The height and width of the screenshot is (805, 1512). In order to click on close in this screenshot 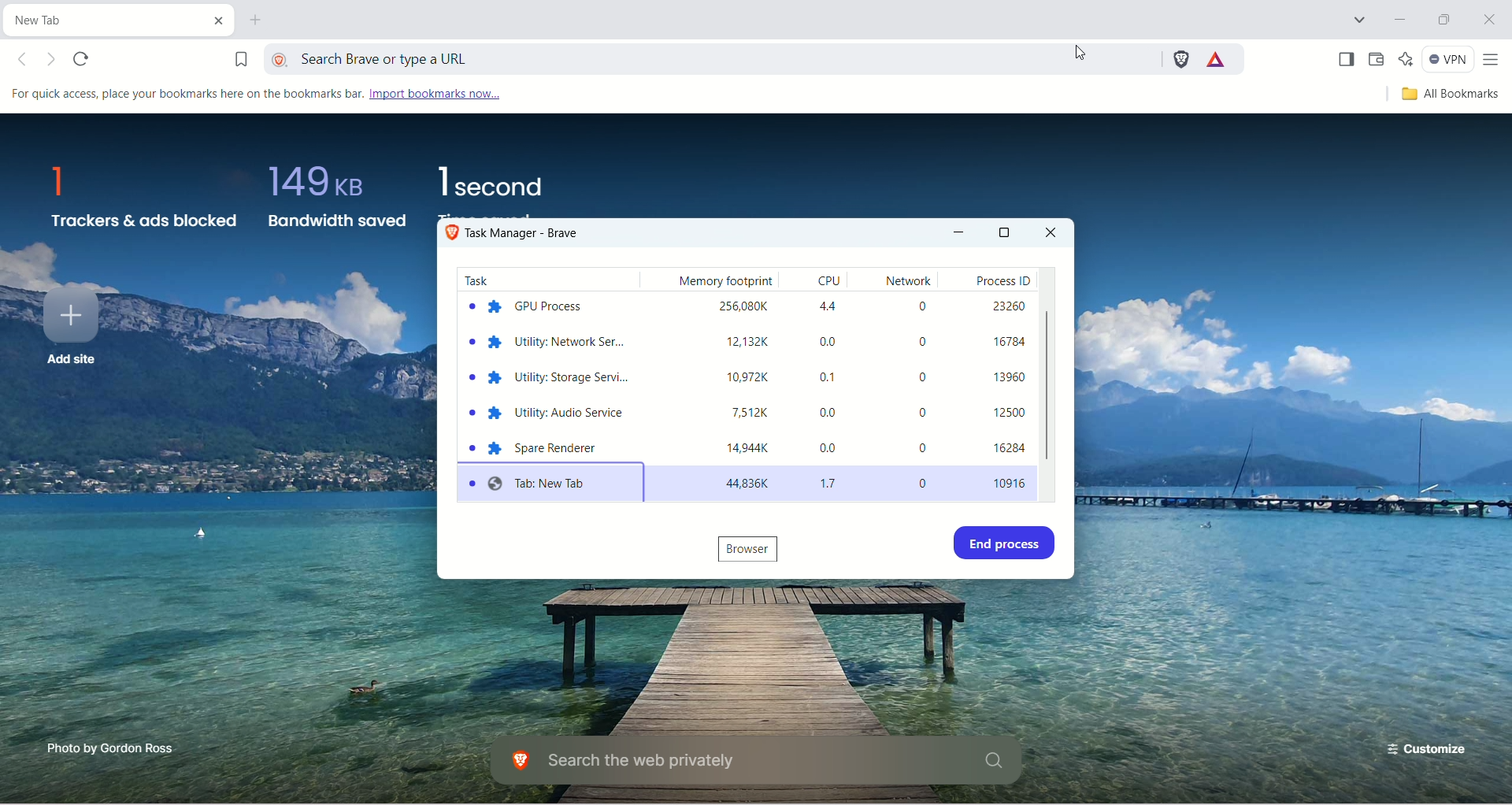, I will do `click(1488, 20)`.